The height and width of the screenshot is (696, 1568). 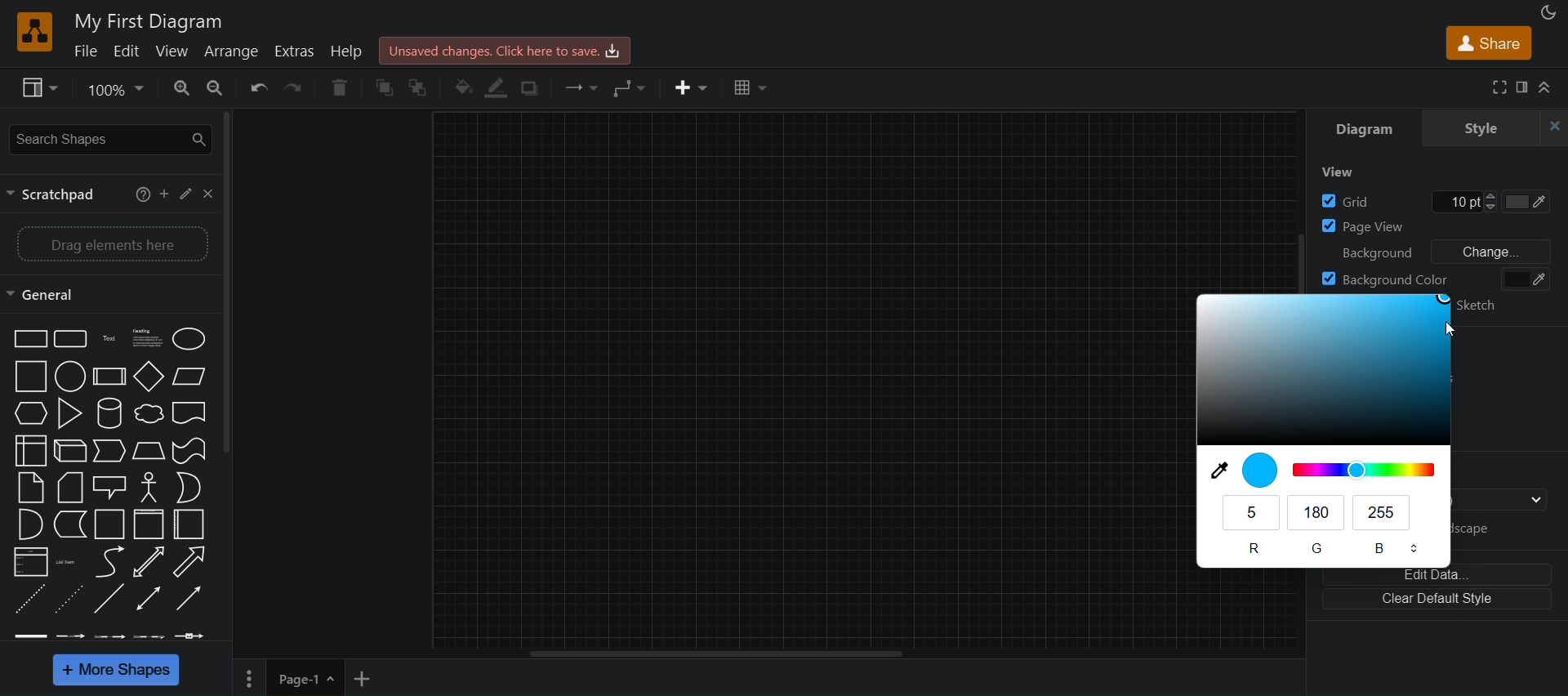 What do you see at coordinates (47, 294) in the screenshot?
I see `general` at bounding box center [47, 294].